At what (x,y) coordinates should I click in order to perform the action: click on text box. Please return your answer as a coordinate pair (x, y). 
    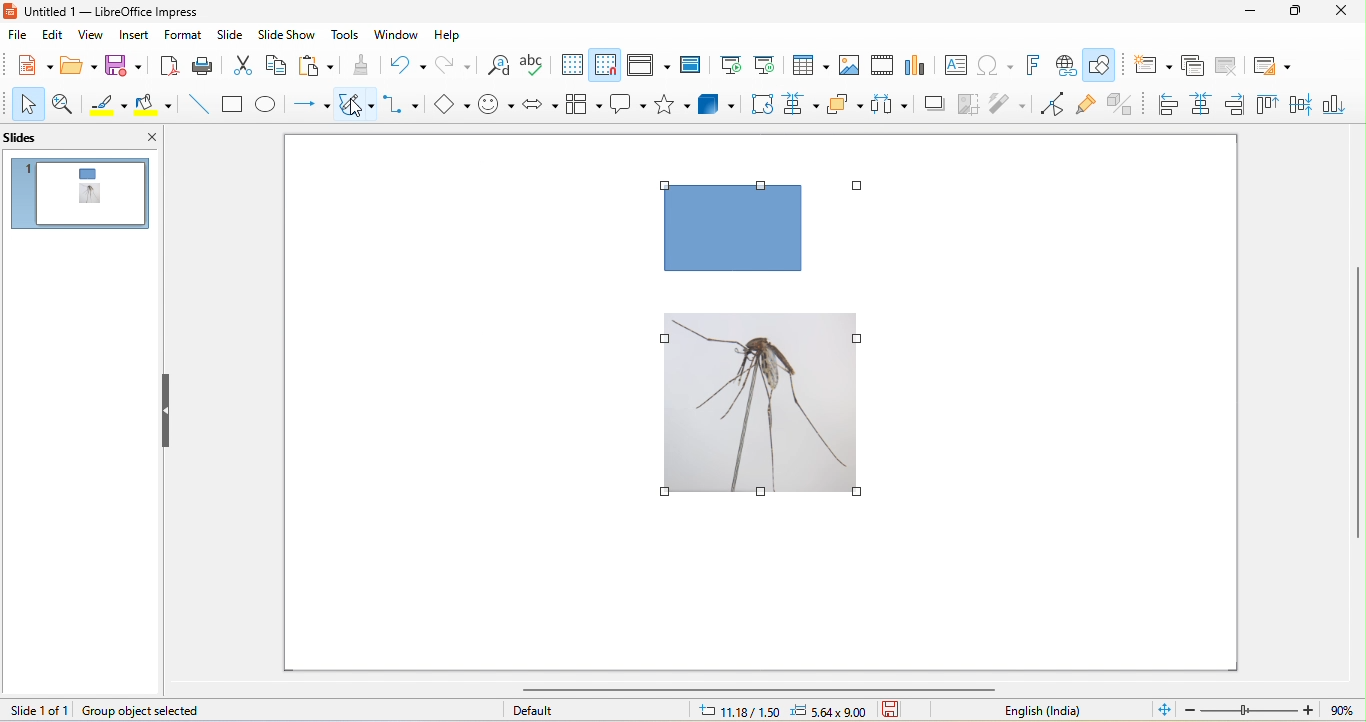
    Looking at the image, I should click on (954, 65).